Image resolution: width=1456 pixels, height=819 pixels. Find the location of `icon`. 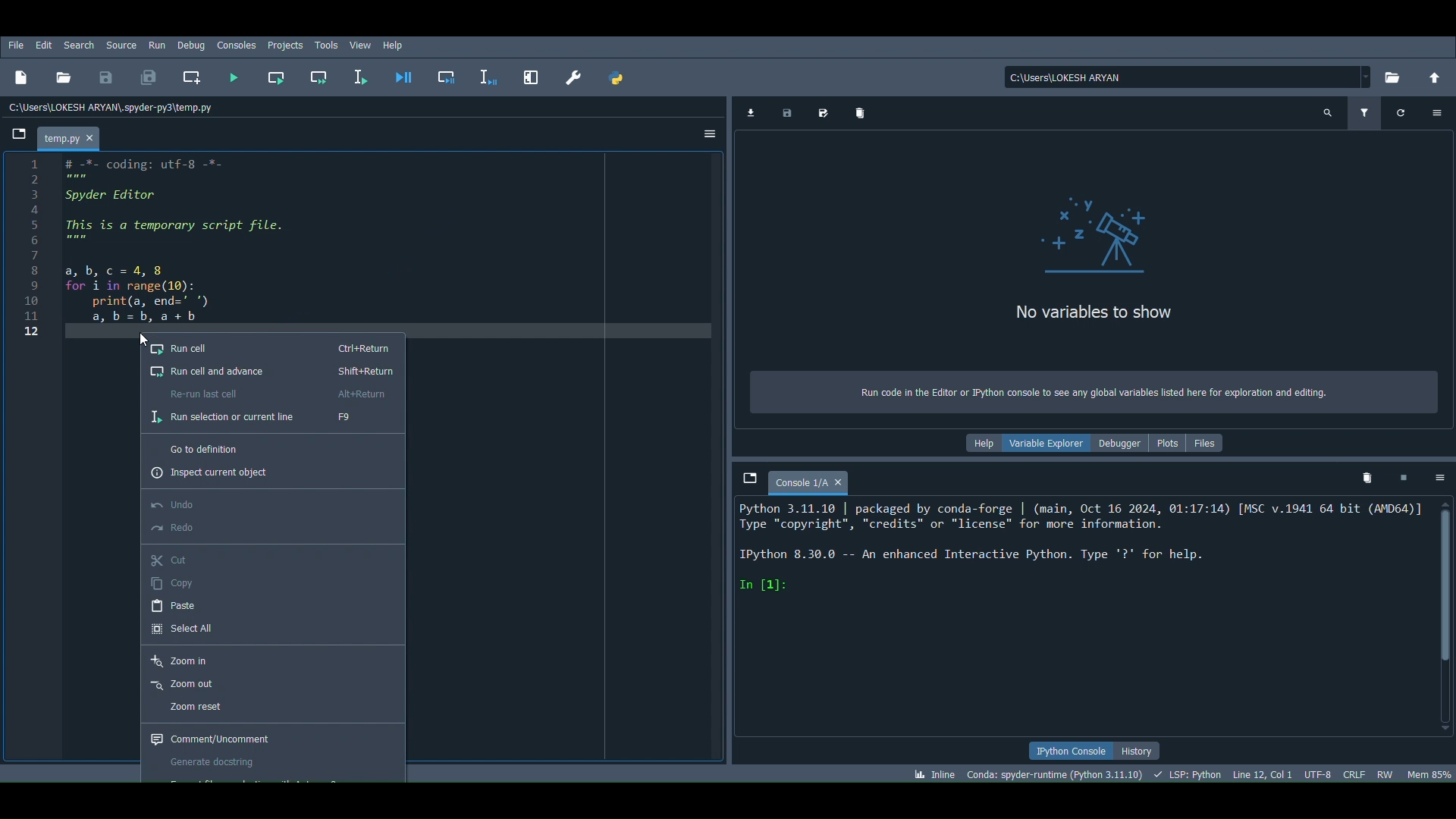

icon is located at coordinates (1093, 235).